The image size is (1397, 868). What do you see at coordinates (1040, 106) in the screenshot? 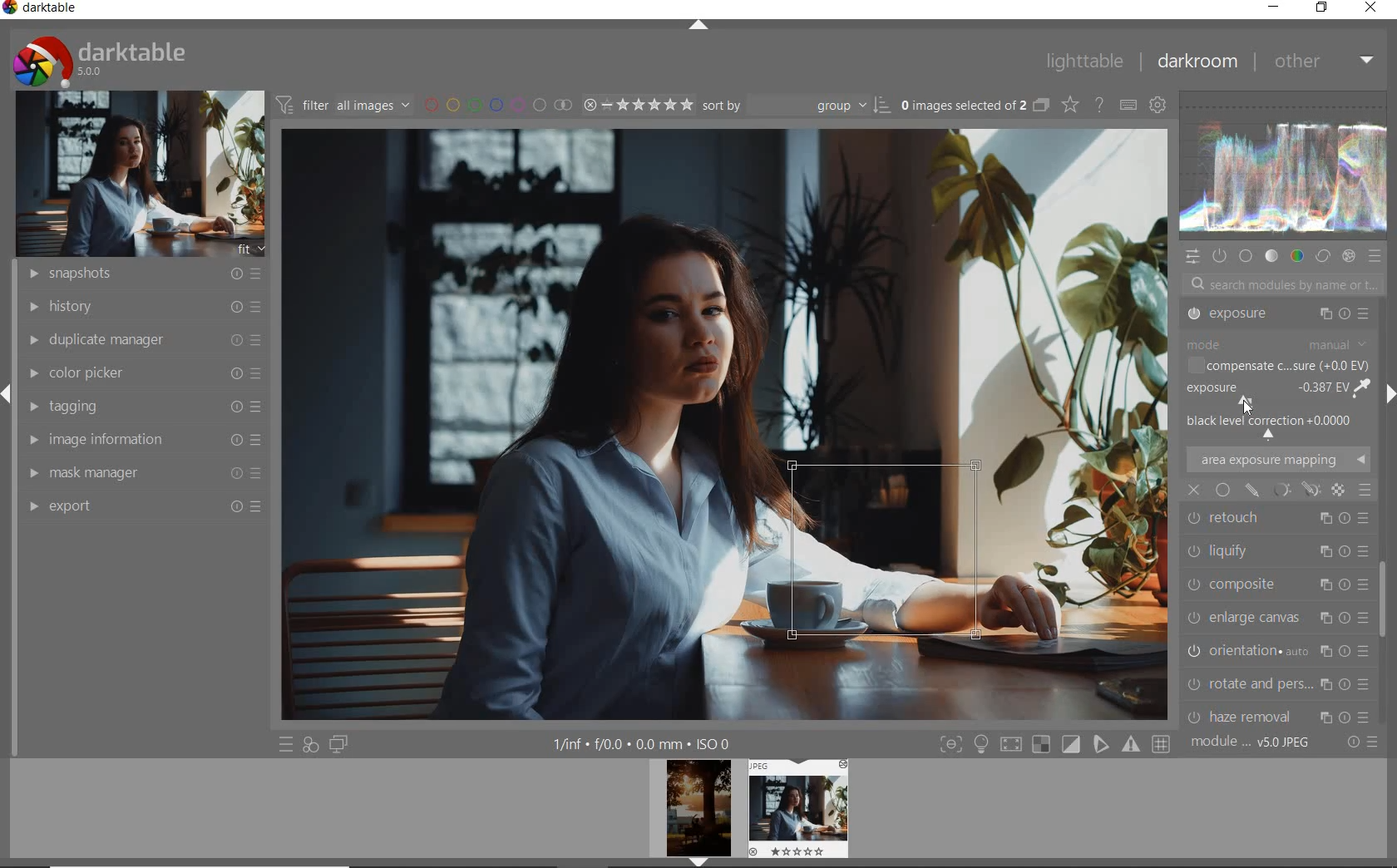
I see `COLLAPSE GROUPED IMAGE` at bounding box center [1040, 106].